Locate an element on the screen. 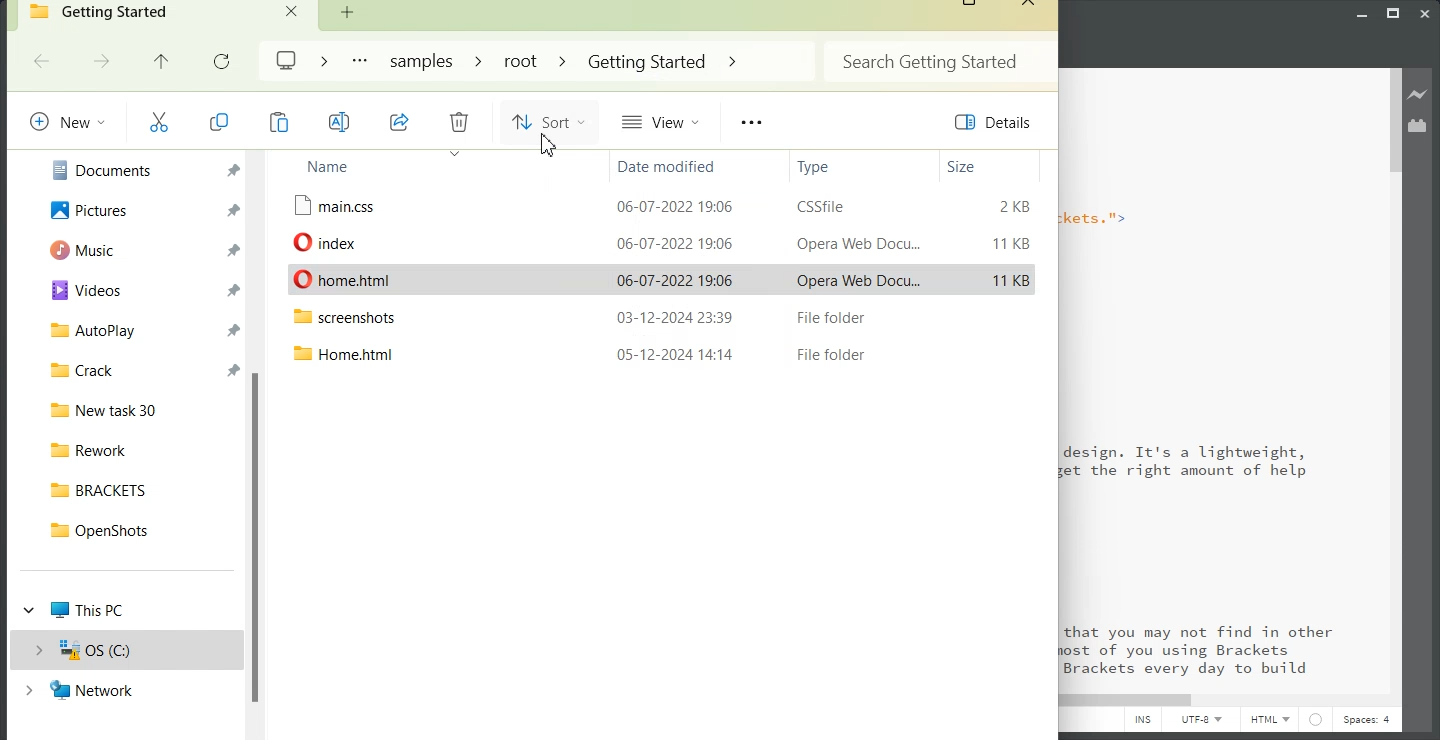 The image size is (1440, 740). Name is located at coordinates (353, 167).